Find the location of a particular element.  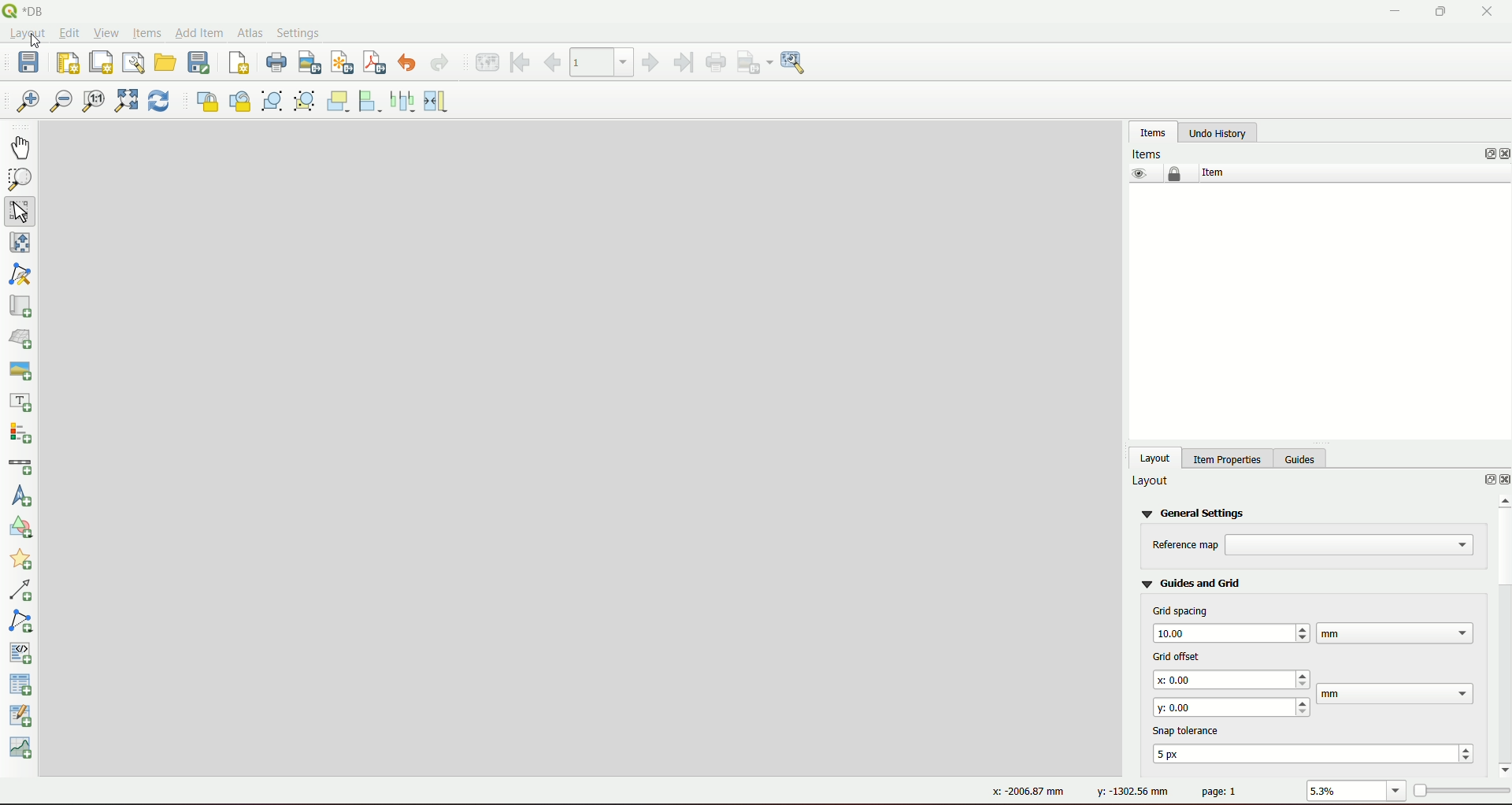

text box is located at coordinates (1397, 694).